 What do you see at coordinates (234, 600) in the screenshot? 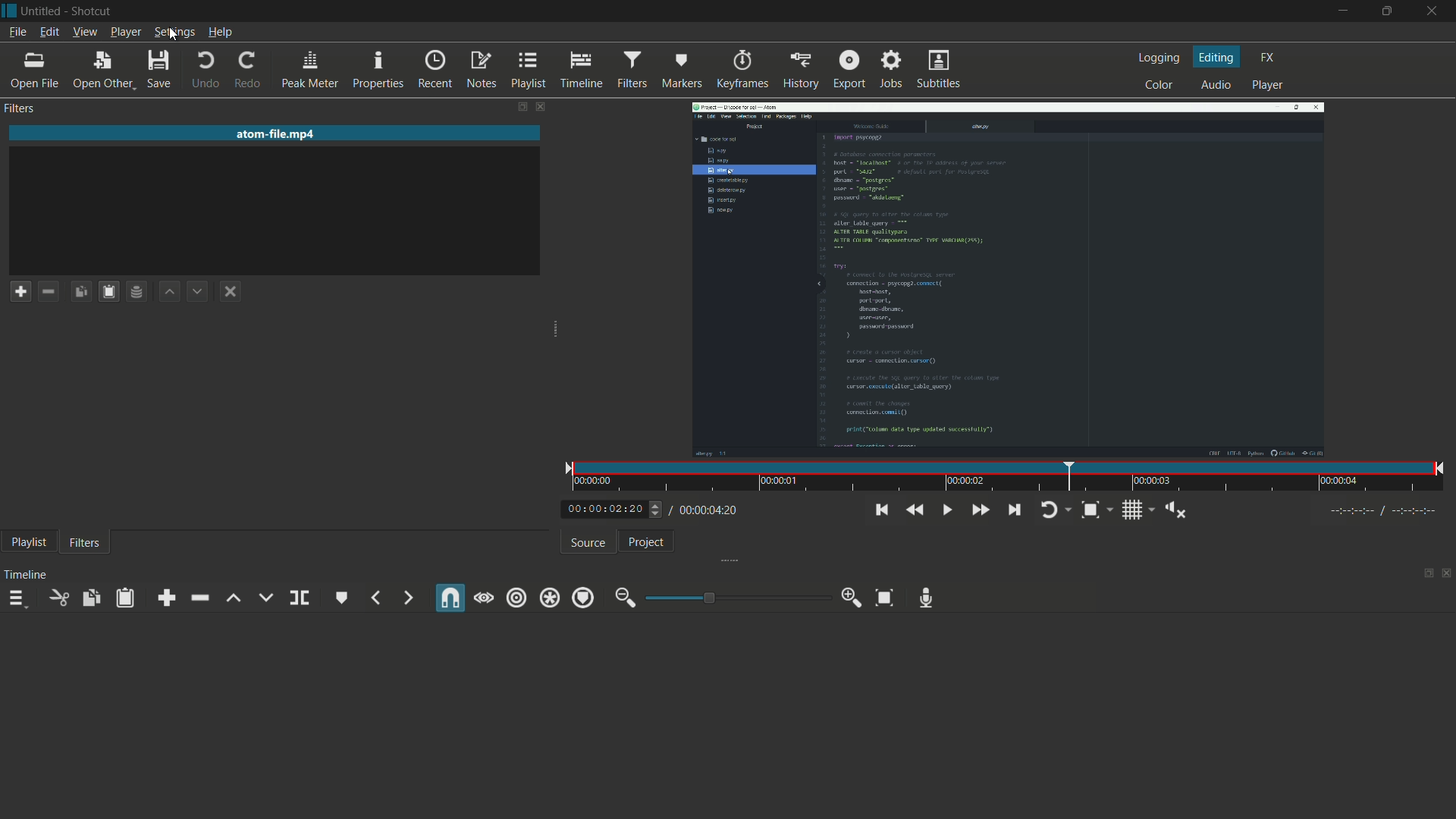
I see `lift` at bounding box center [234, 600].